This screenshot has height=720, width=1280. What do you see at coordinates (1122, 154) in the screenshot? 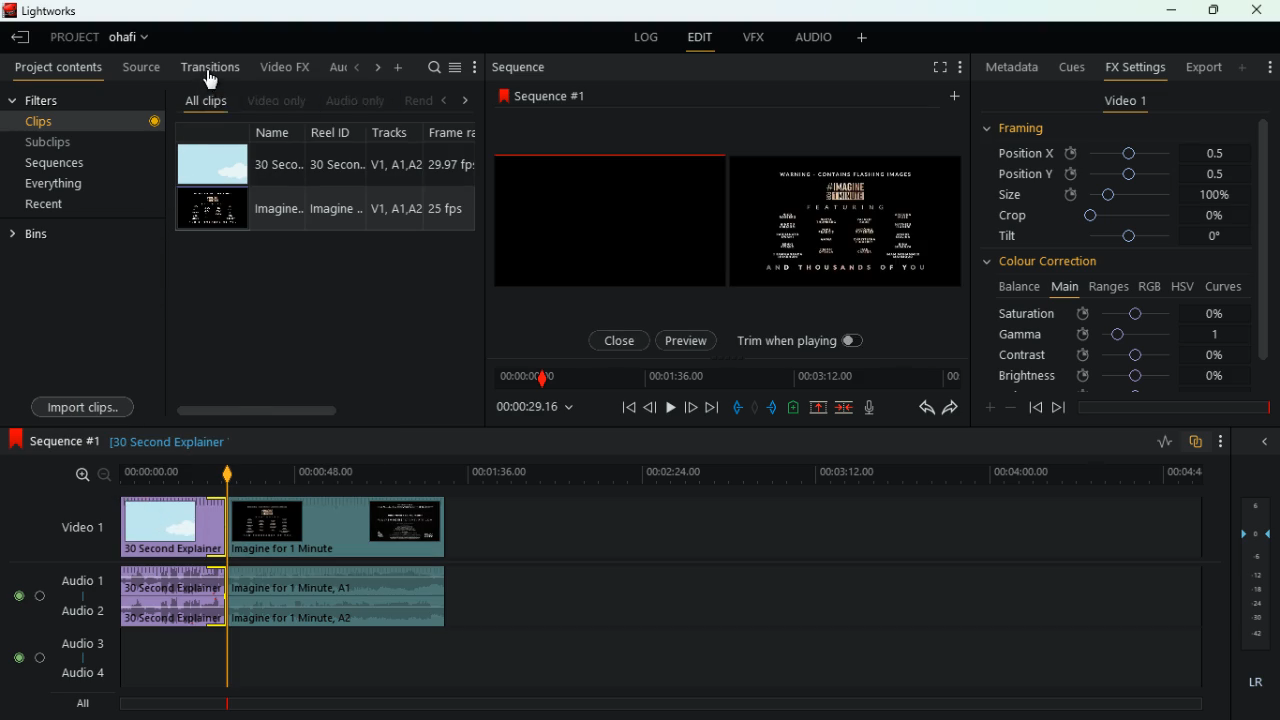
I see `position x` at bounding box center [1122, 154].